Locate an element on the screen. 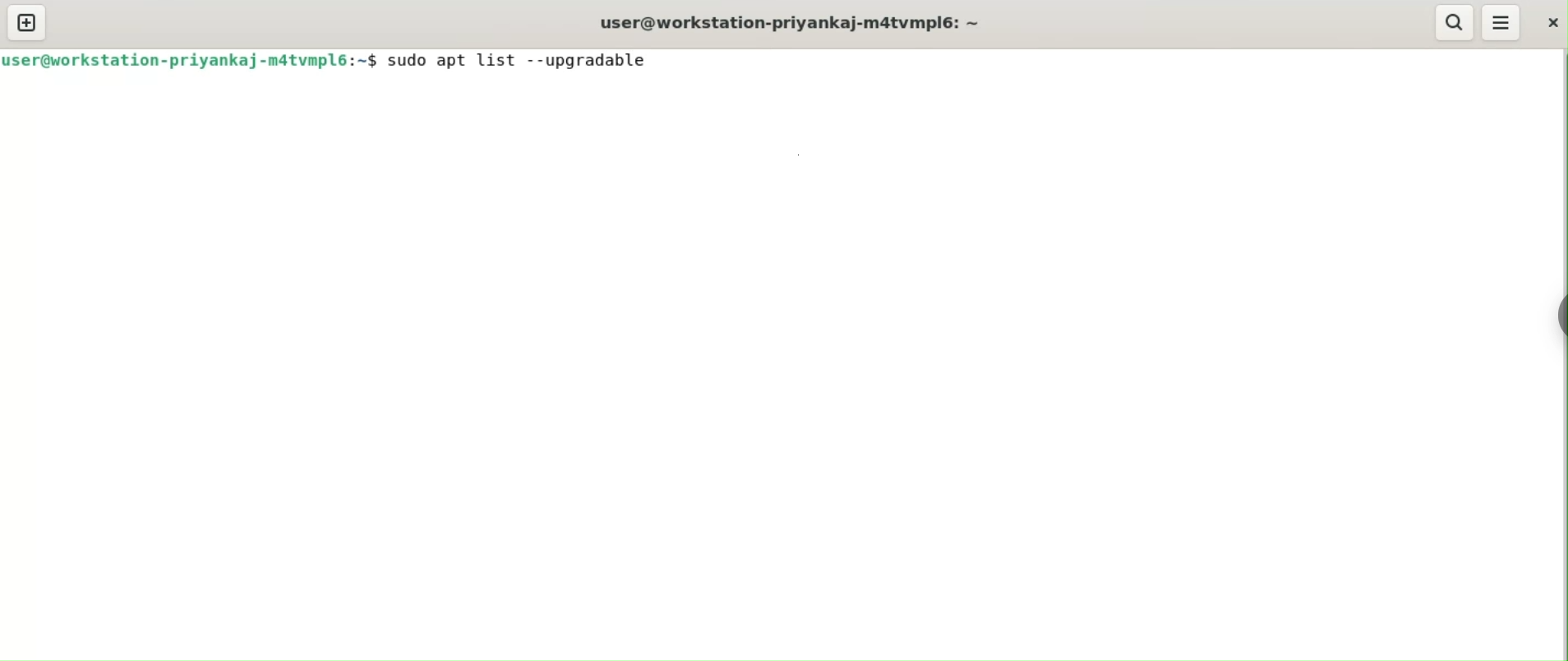 The height and width of the screenshot is (661, 1568). sudo apt list --upgradable is located at coordinates (533, 62).